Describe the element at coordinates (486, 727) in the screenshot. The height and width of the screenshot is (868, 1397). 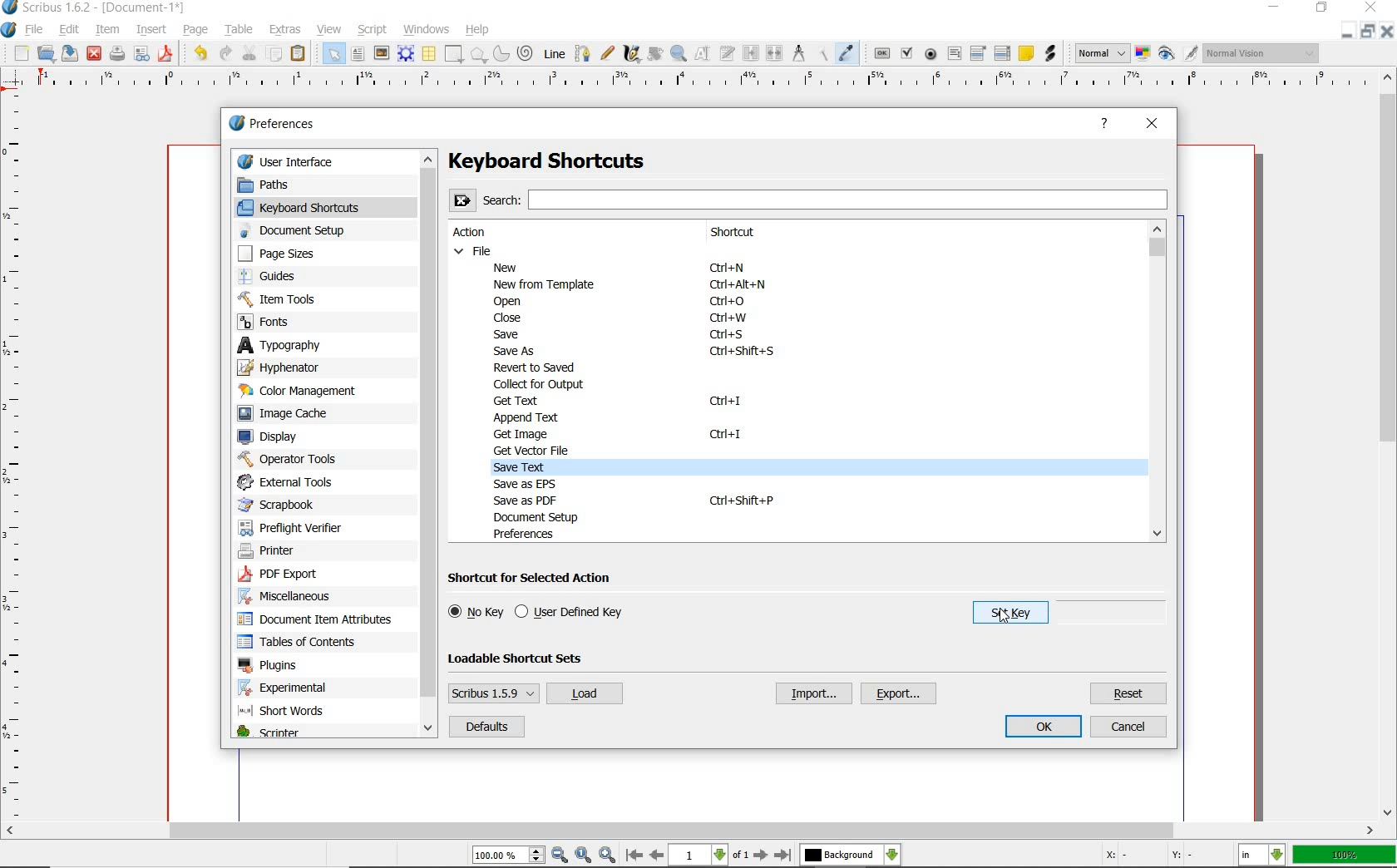
I see `default` at that location.